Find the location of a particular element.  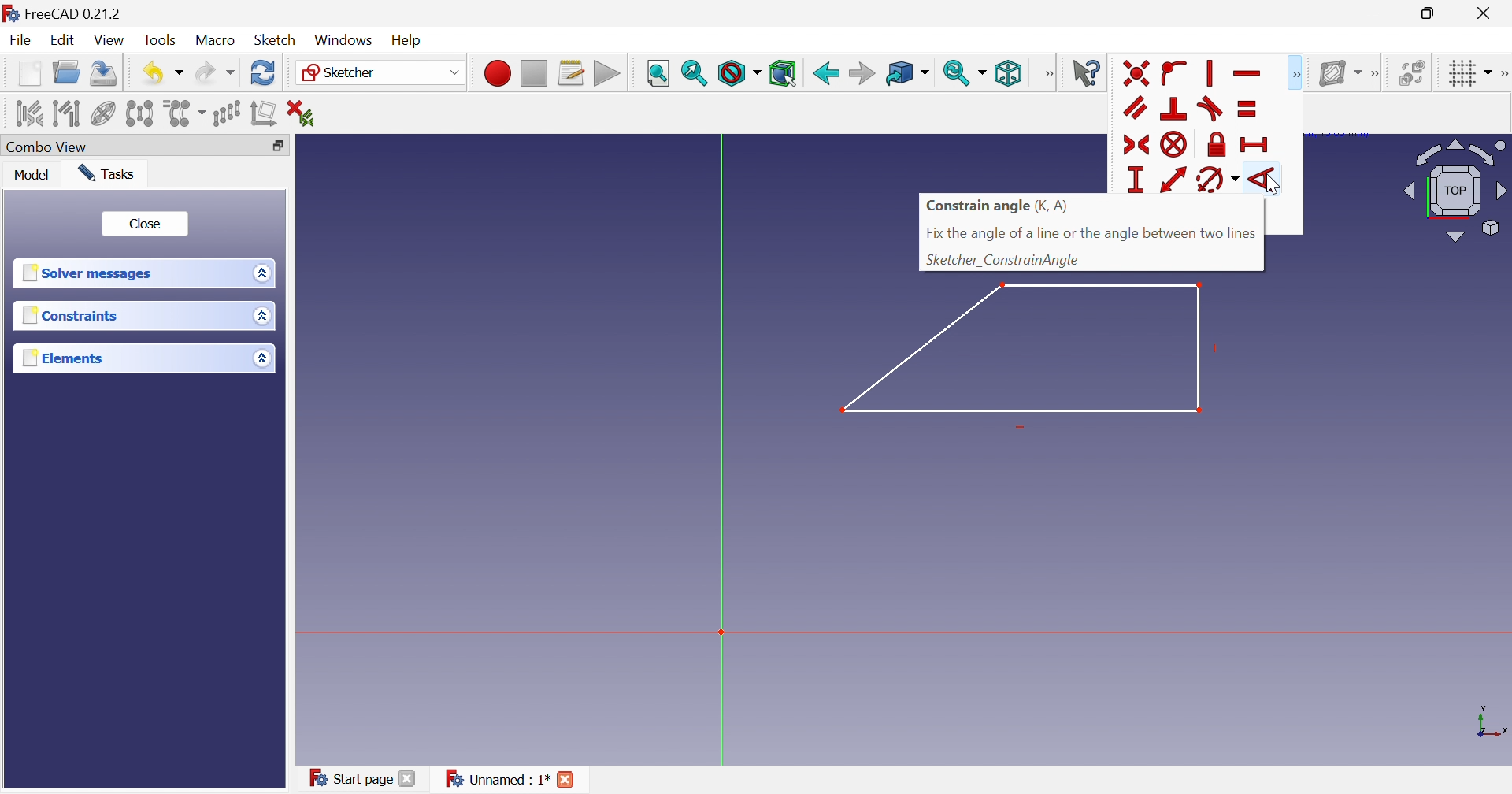

Constraint Block is located at coordinates (1175, 145).